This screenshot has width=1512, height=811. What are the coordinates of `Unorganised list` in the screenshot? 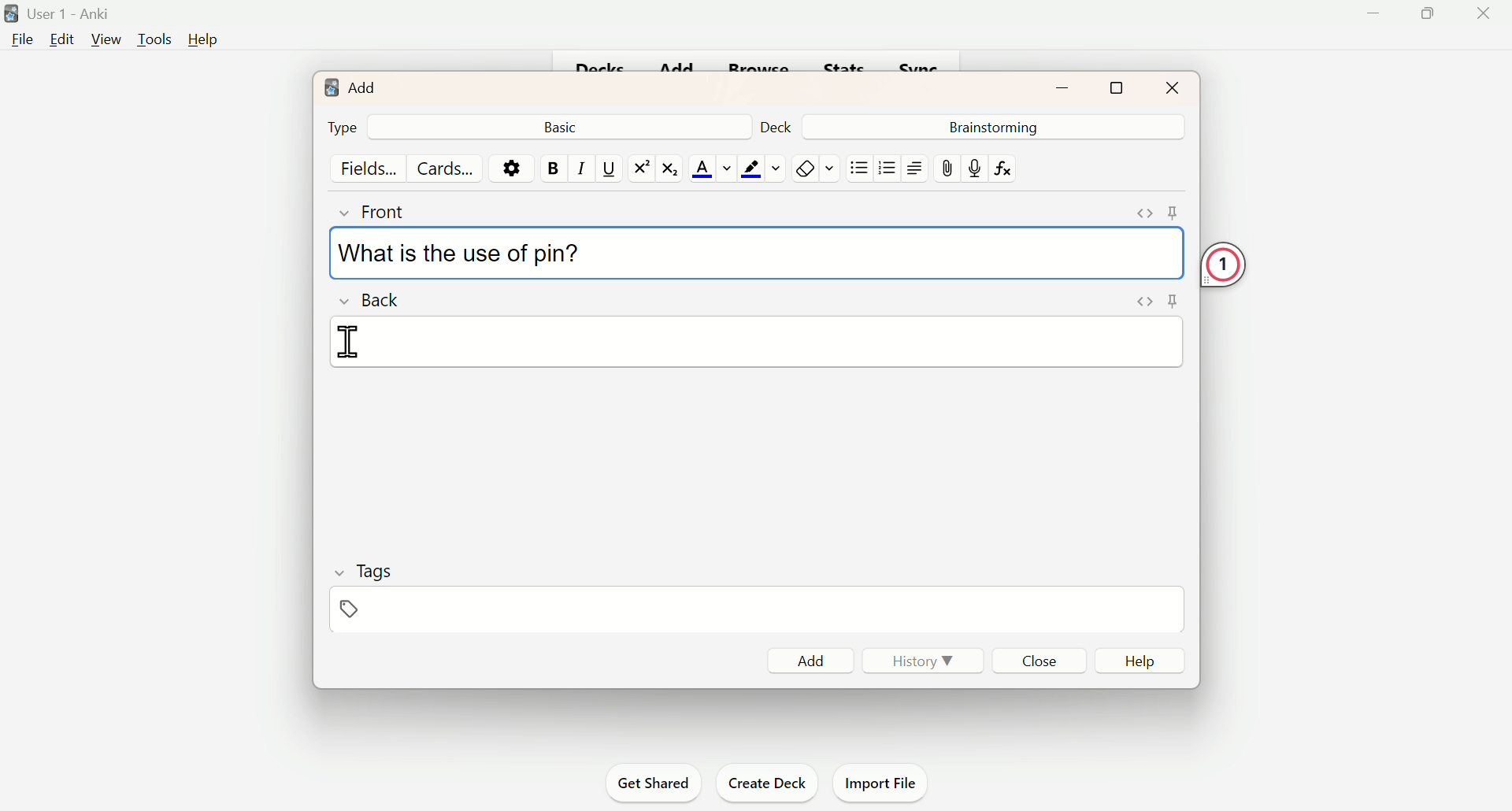 It's located at (860, 167).